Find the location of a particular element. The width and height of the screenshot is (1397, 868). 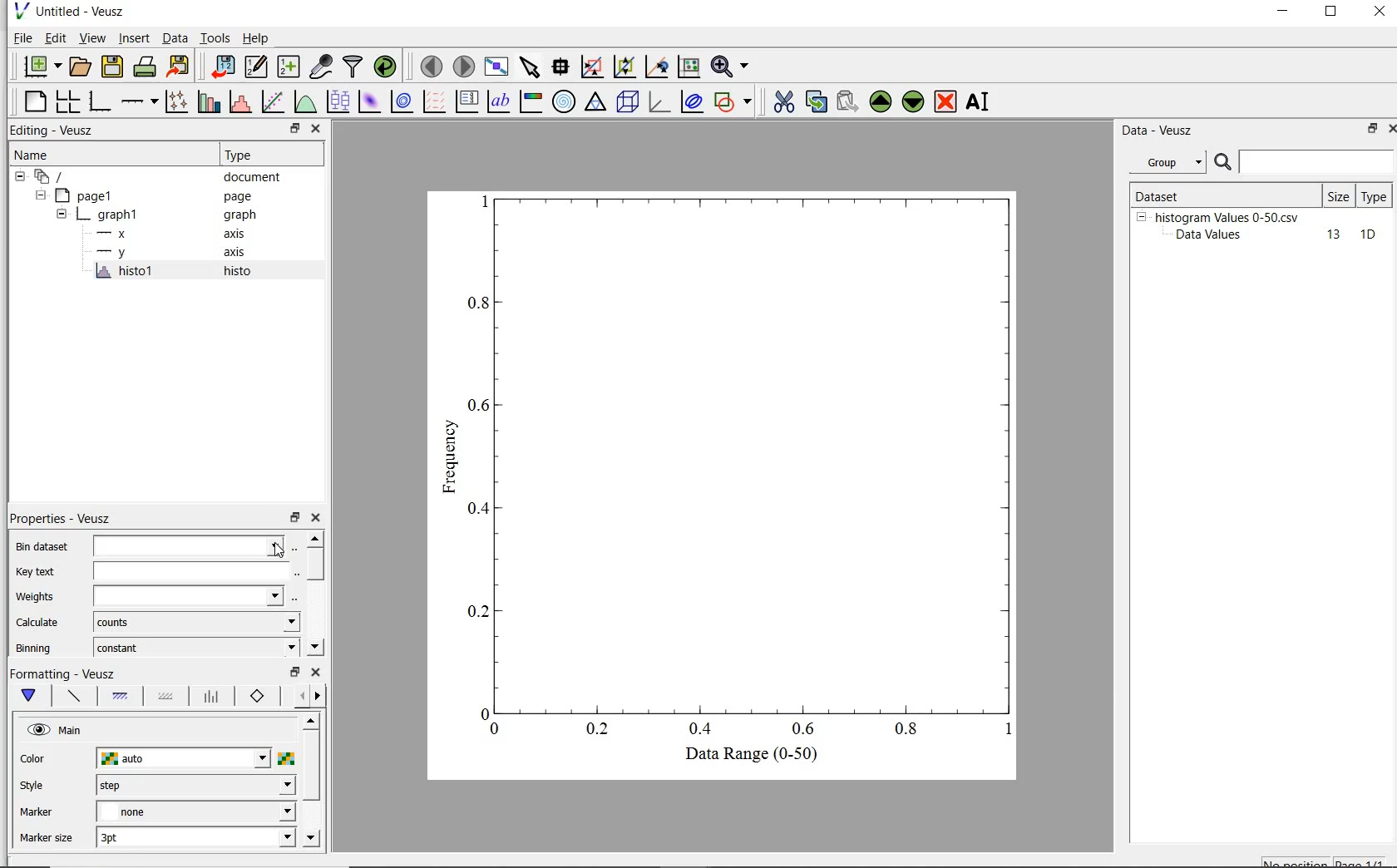

cursor is located at coordinates (276, 549).